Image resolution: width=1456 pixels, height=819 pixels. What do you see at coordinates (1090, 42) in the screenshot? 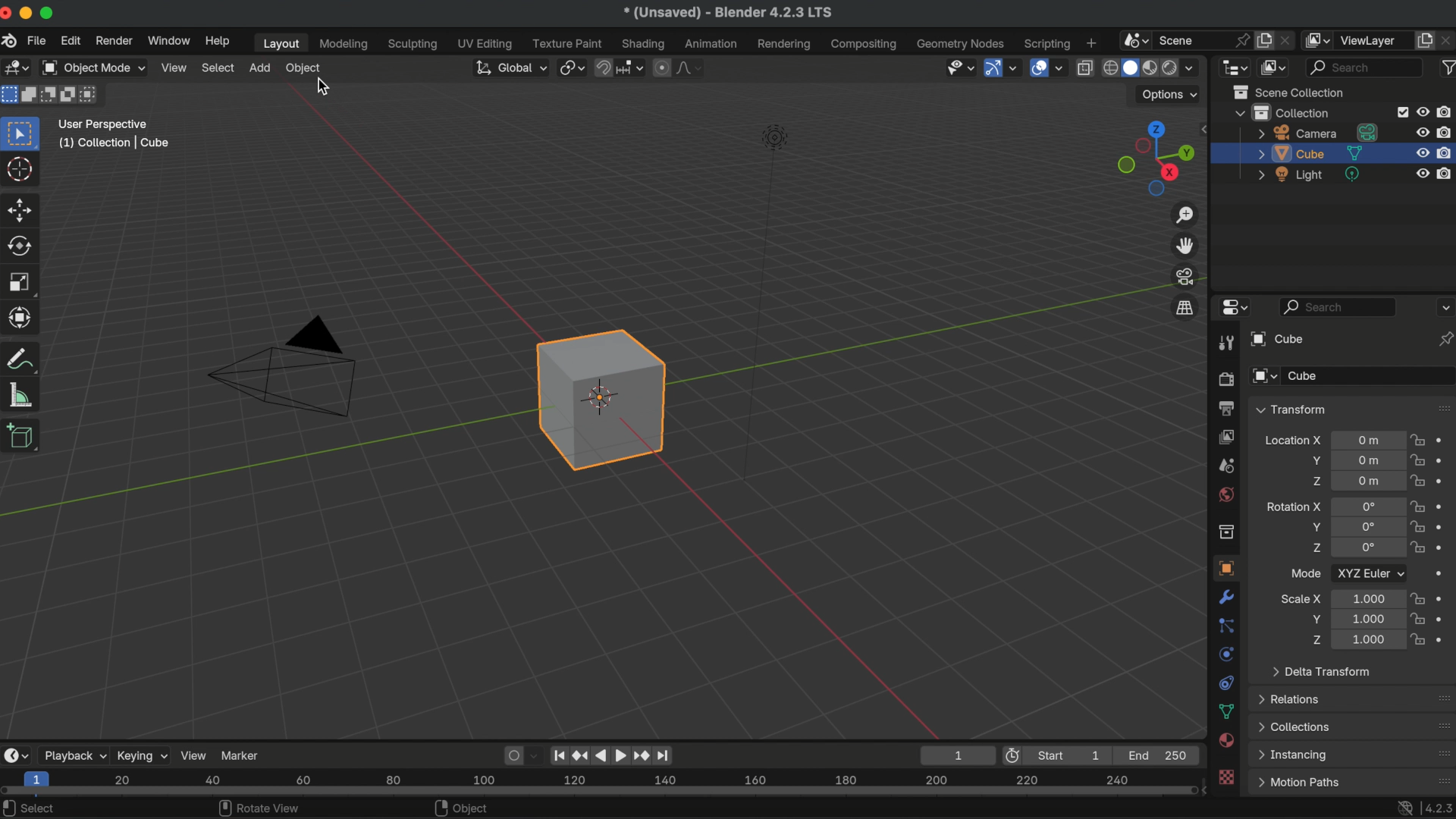
I see `add workspace` at bounding box center [1090, 42].